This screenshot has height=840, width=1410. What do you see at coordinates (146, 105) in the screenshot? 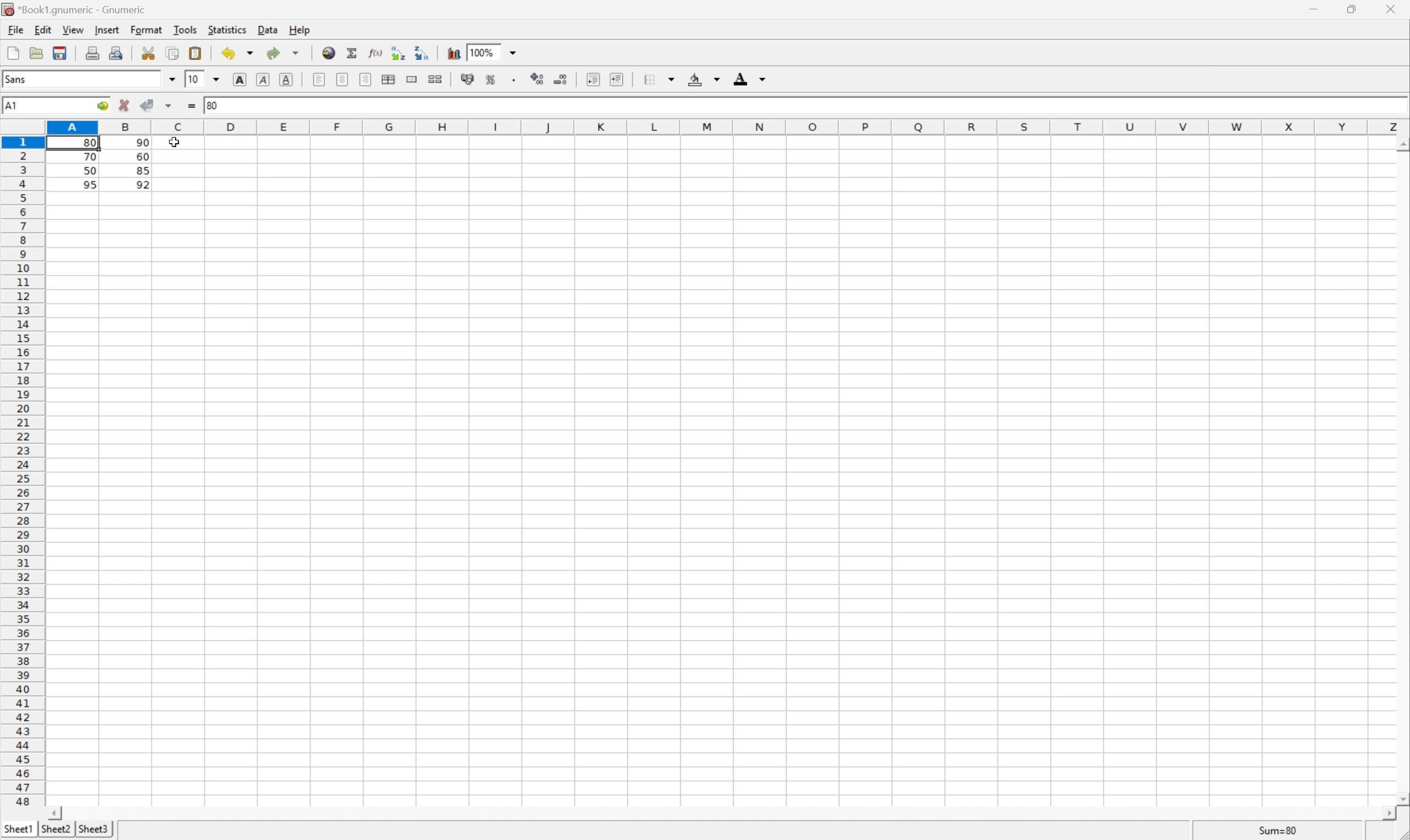
I see `Accept changes` at bounding box center [146, 105].